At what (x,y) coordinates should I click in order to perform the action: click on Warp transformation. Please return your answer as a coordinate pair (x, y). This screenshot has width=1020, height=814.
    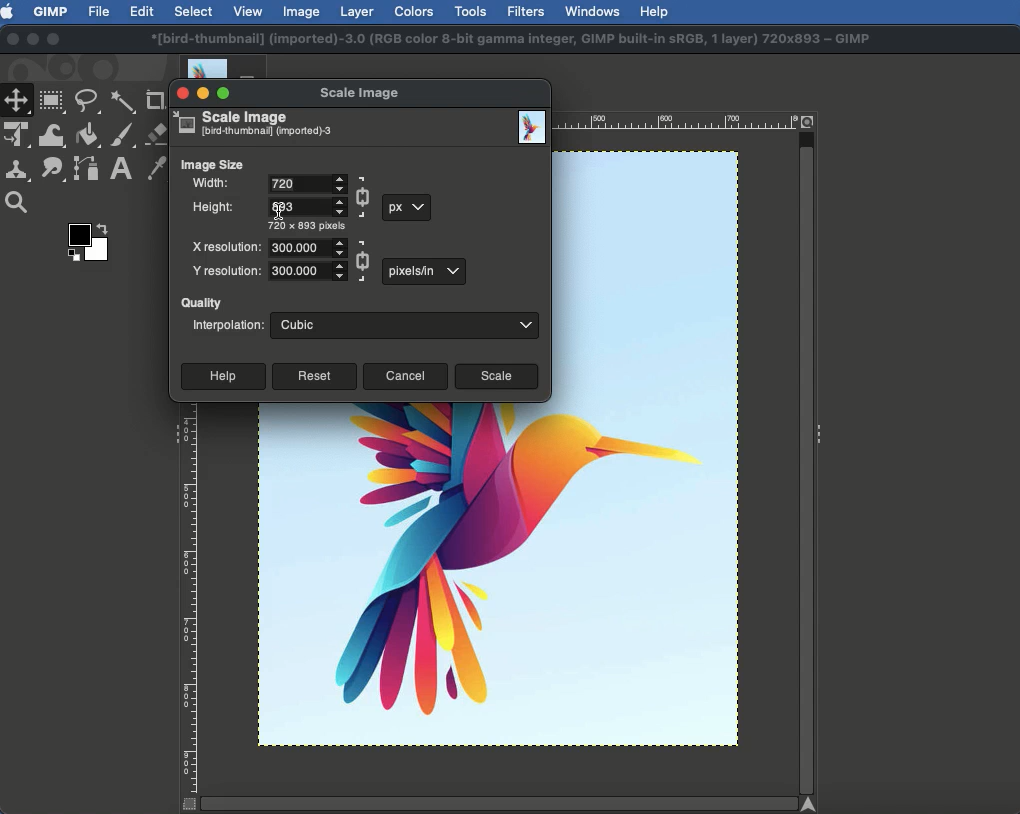
    Looking at the image, I should click on (53, 134).